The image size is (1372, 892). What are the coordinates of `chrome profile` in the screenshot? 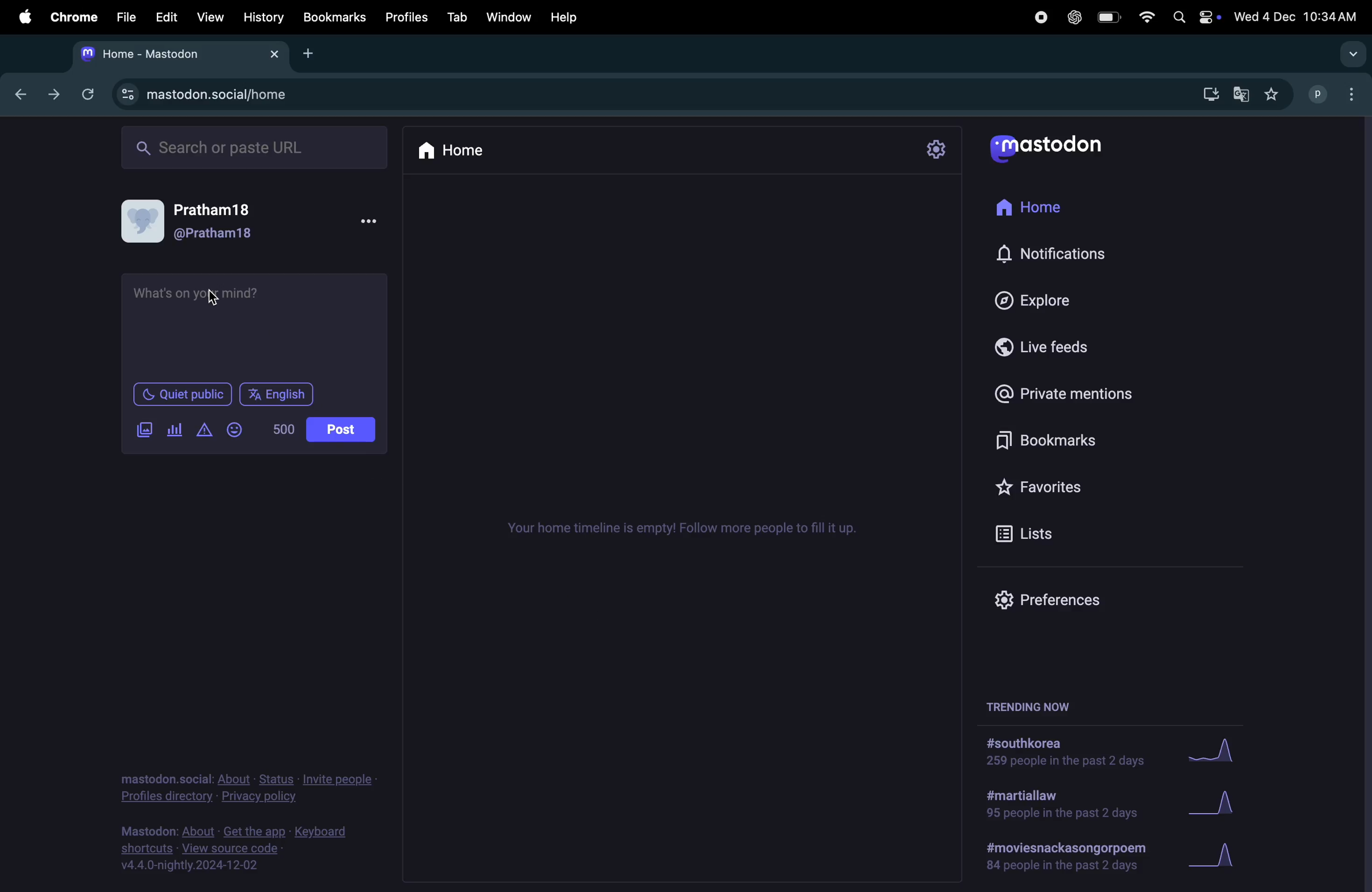 It's located at (1336, 96).